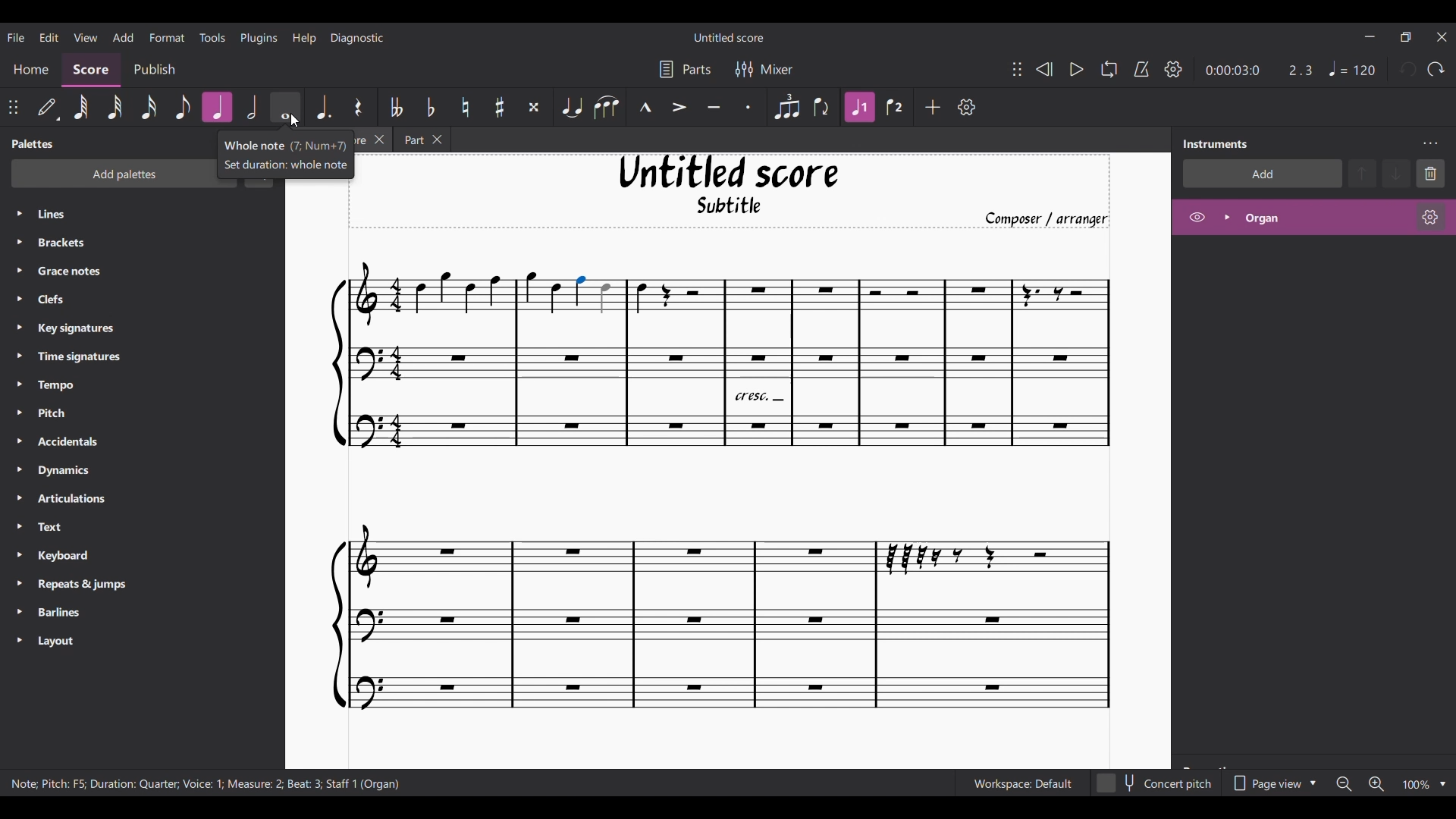  I want to click on Organ settings, so click(1431, 217).